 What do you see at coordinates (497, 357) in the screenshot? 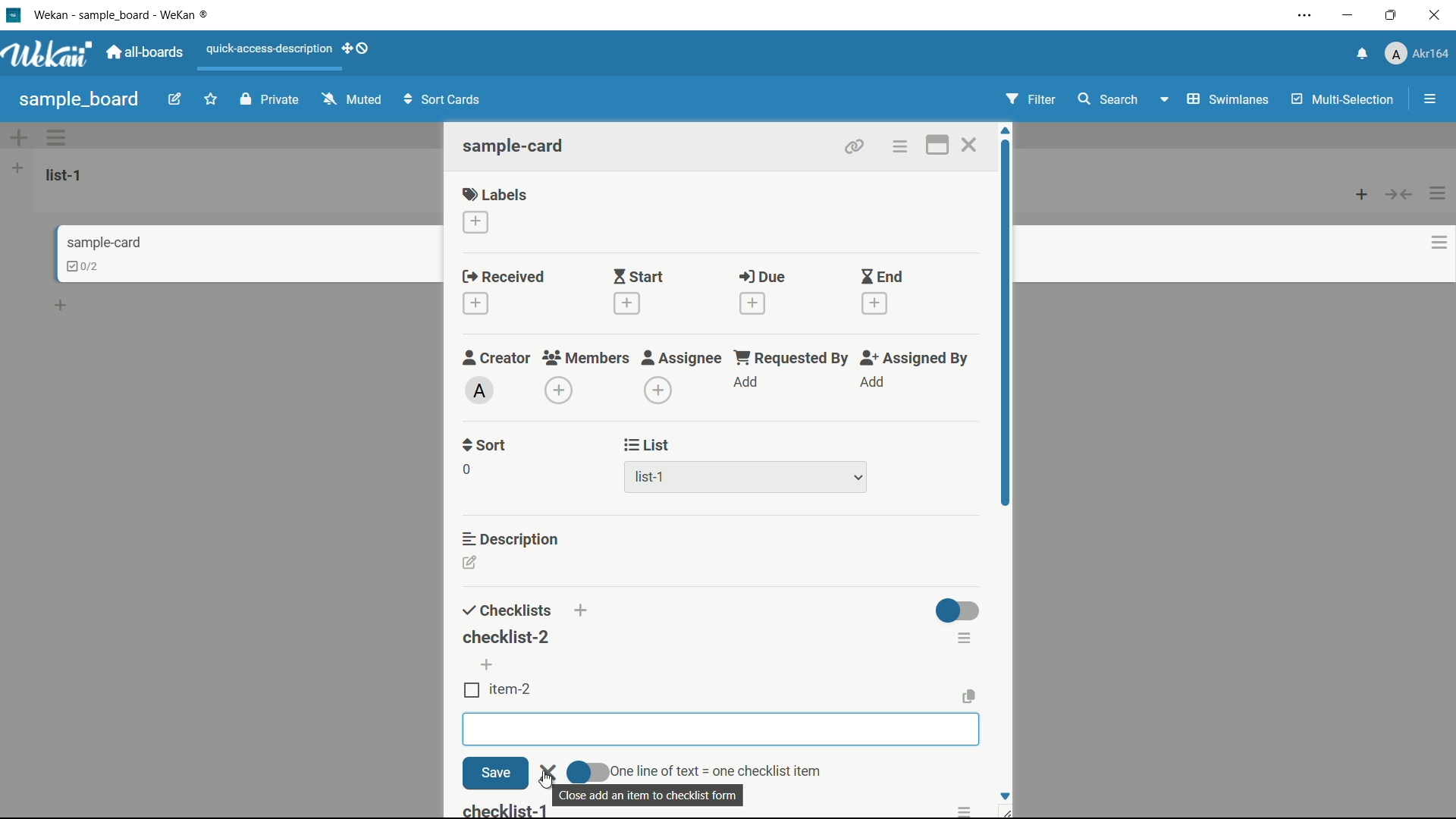
I see `creator` at bounding box center [497, 357].